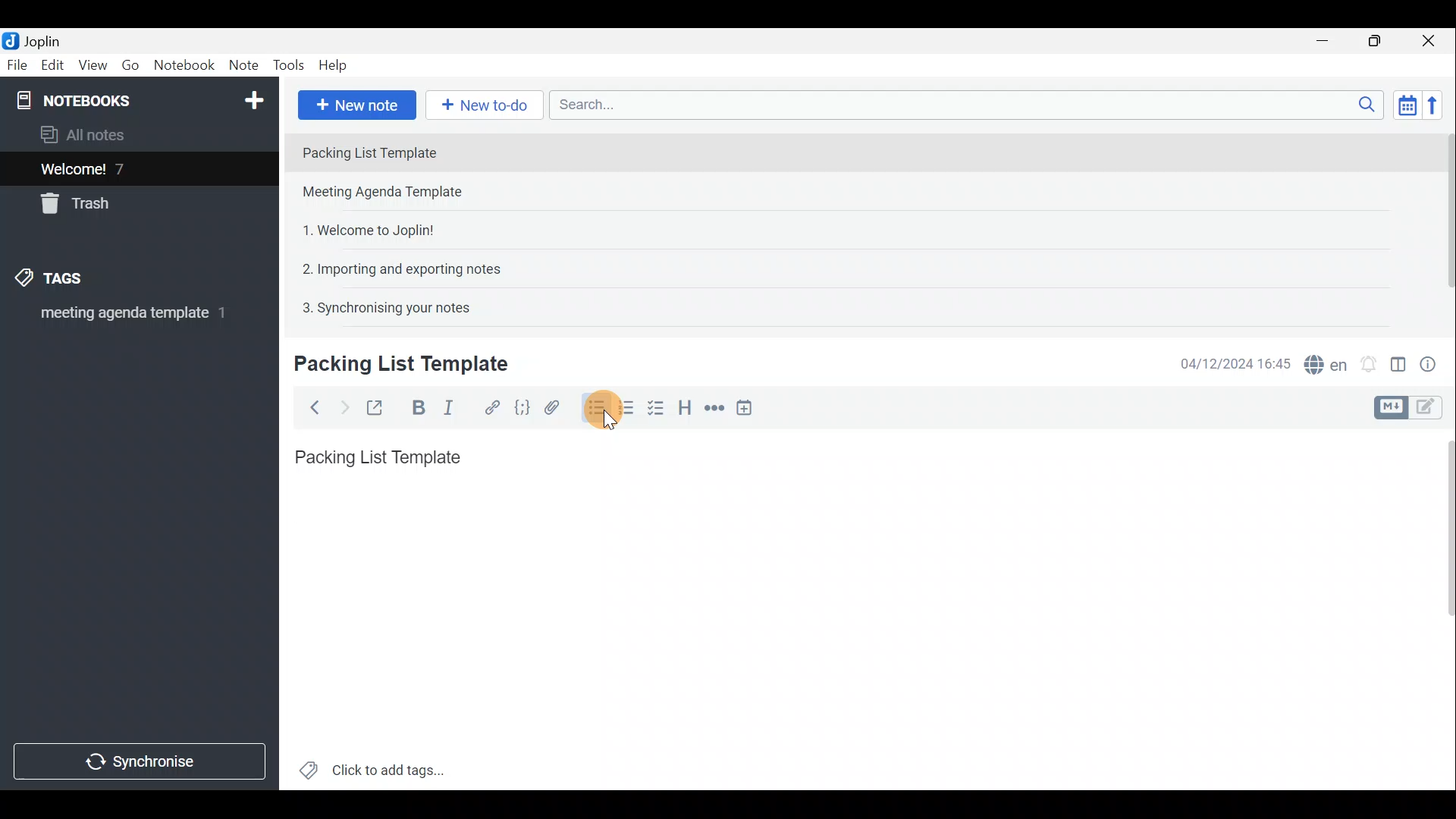 The height and width of the screenshot is (819, 1456). I want to click on Note, so click(243, 66).